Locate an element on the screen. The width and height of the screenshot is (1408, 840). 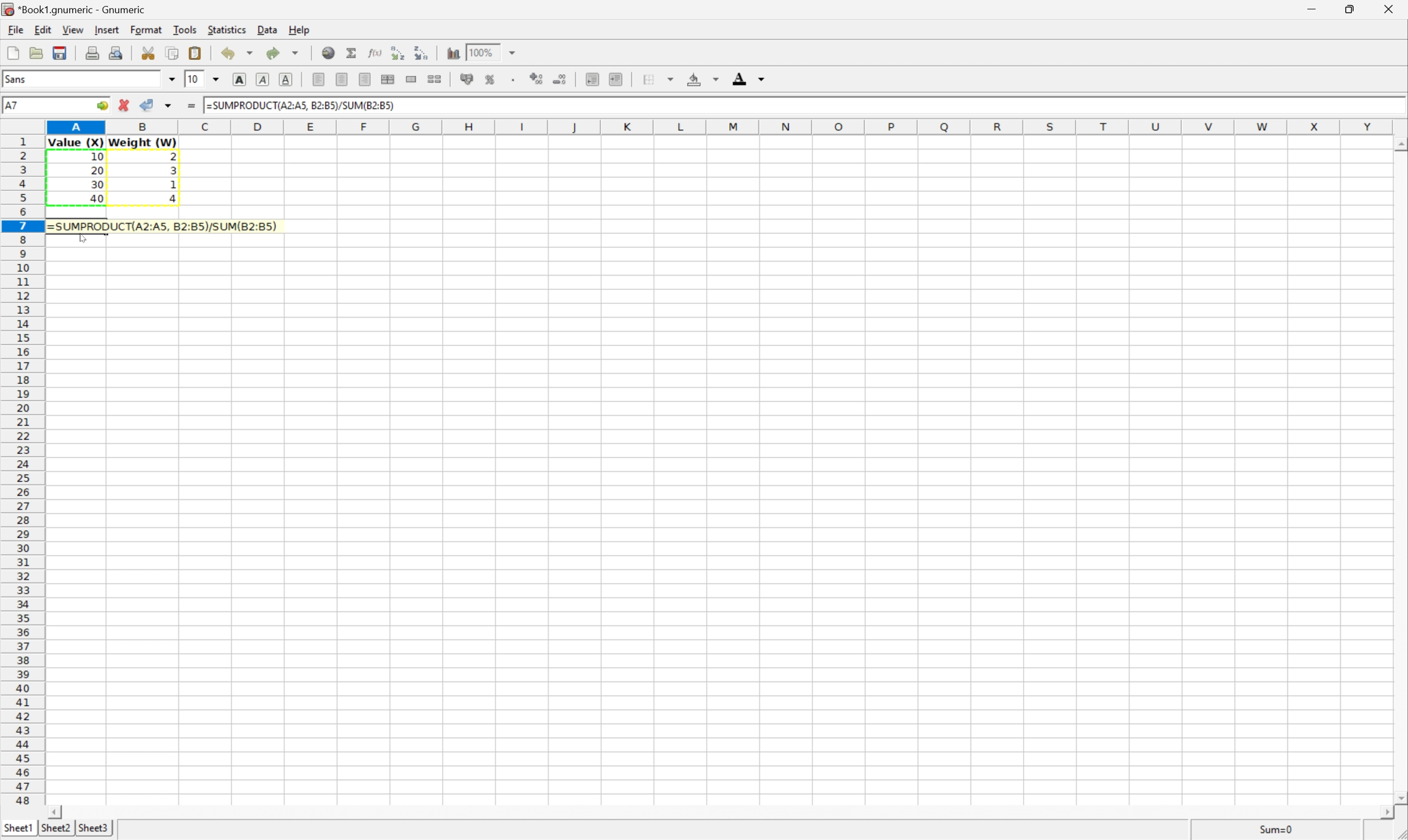
Scroll Left is located at coordinates (55, 812).